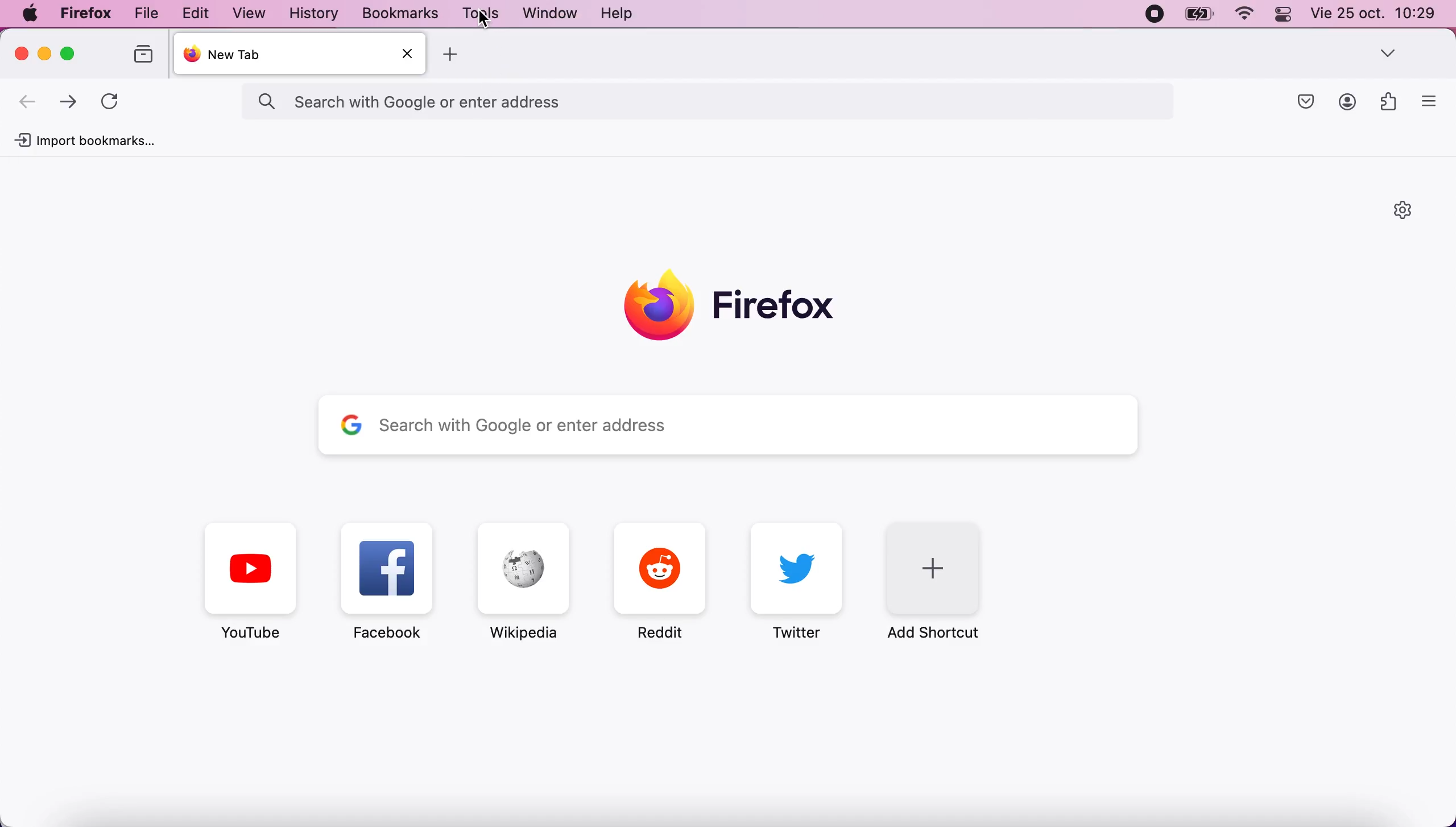 This screenshot has width=1456, height=827. What do you see at coordinates (1284, 15) in the screenshot?
I see `Toggle` at bounding box center [1284, 15].